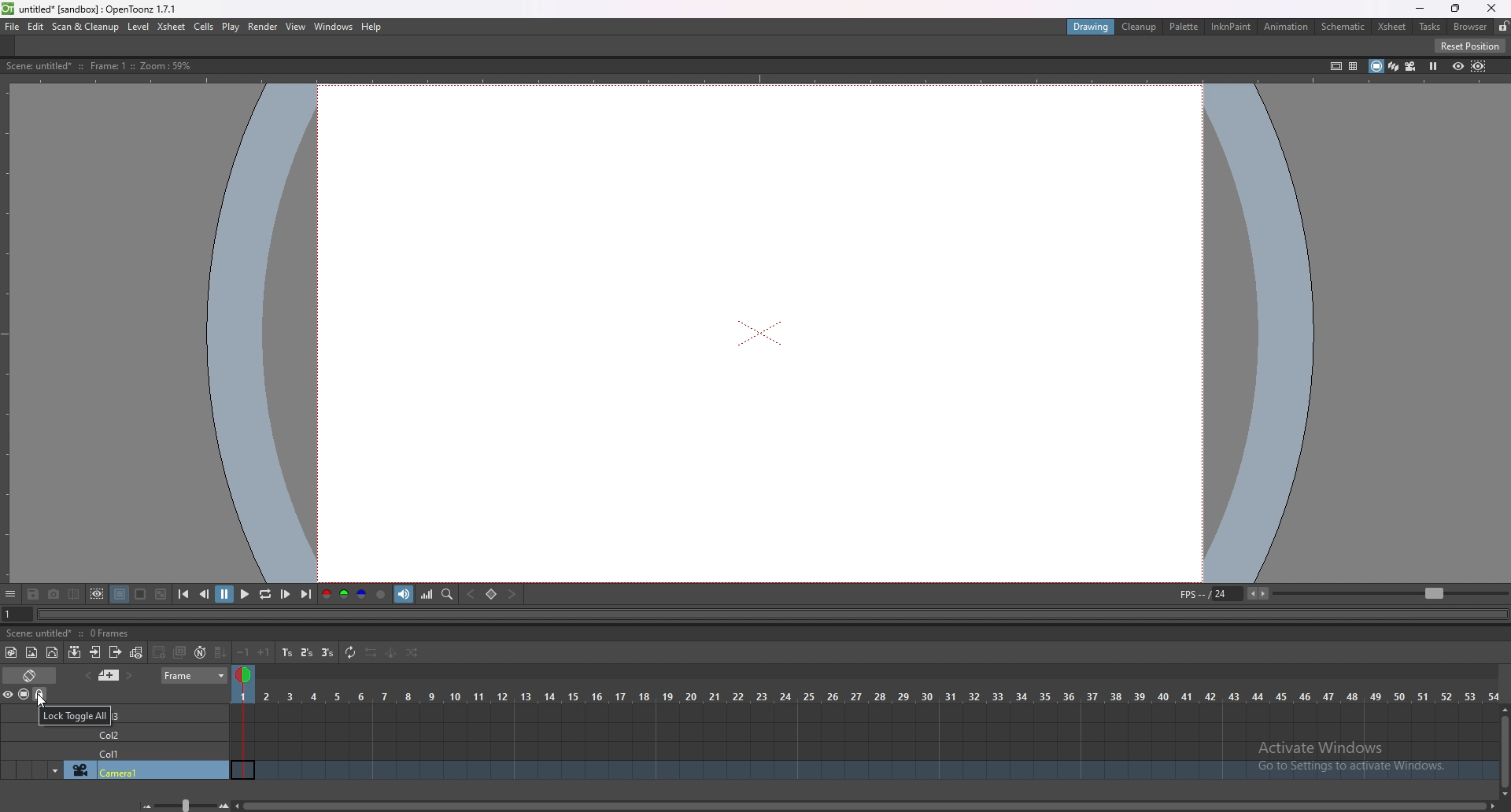 The height and width of the screenshot is (812, 1511). I want to click on browser, so click(1470, 26).